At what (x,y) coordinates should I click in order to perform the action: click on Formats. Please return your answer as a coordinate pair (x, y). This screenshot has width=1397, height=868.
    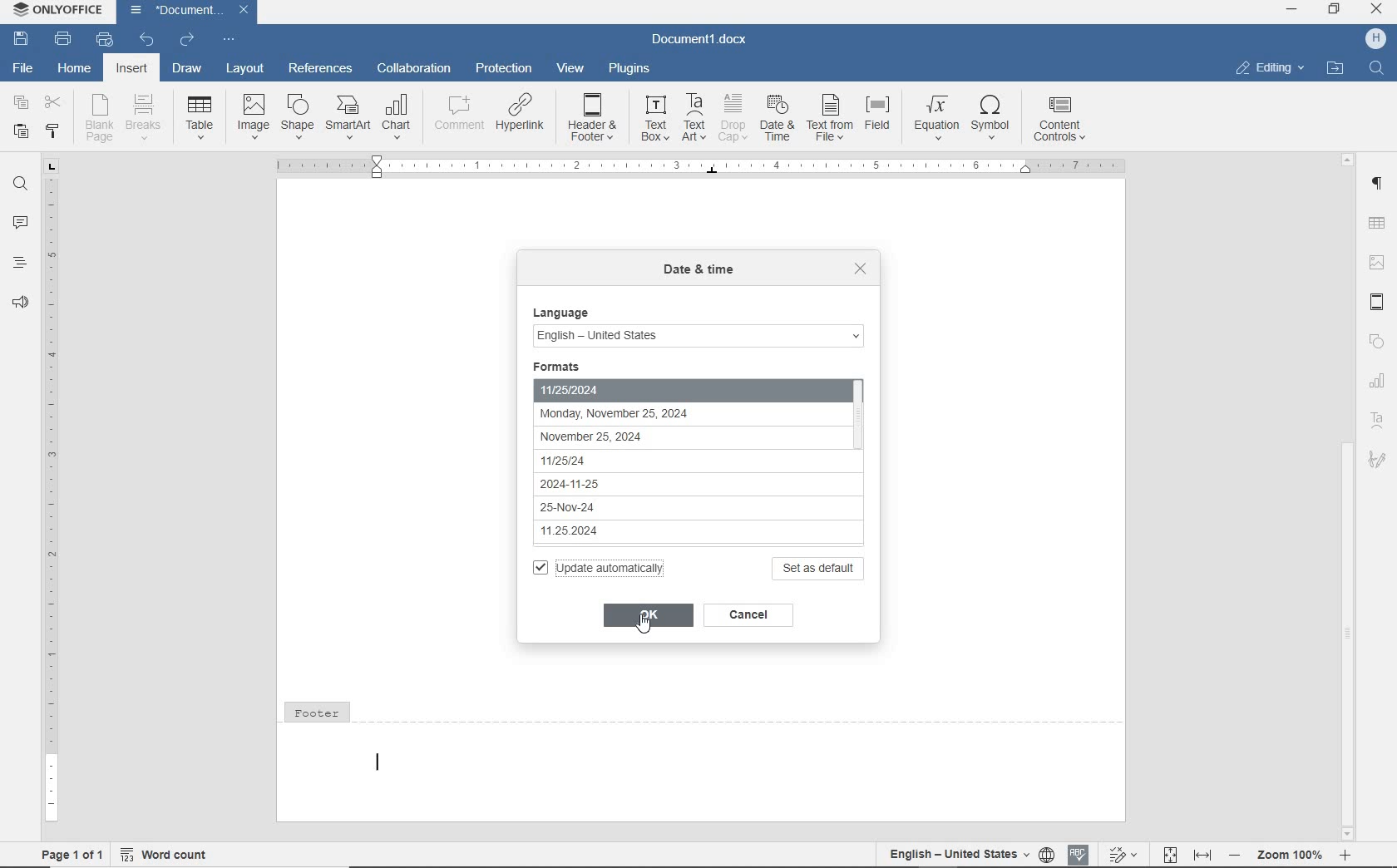
    Looking at the image, I should click on (573, 364).